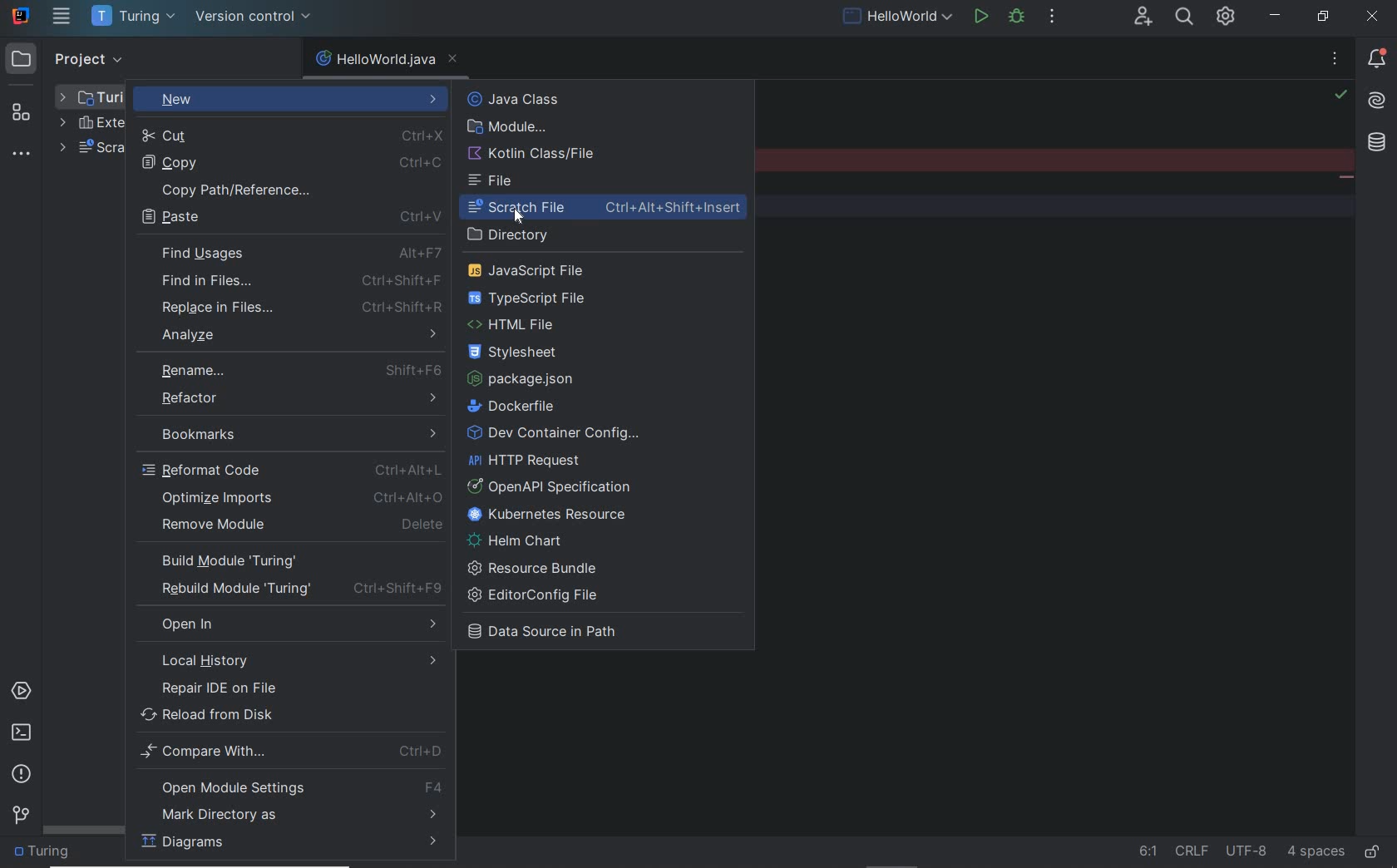  What do you see at coordinates (453, 60) in the screenshot?
I see `close tab` at bounding box center [453, 60].